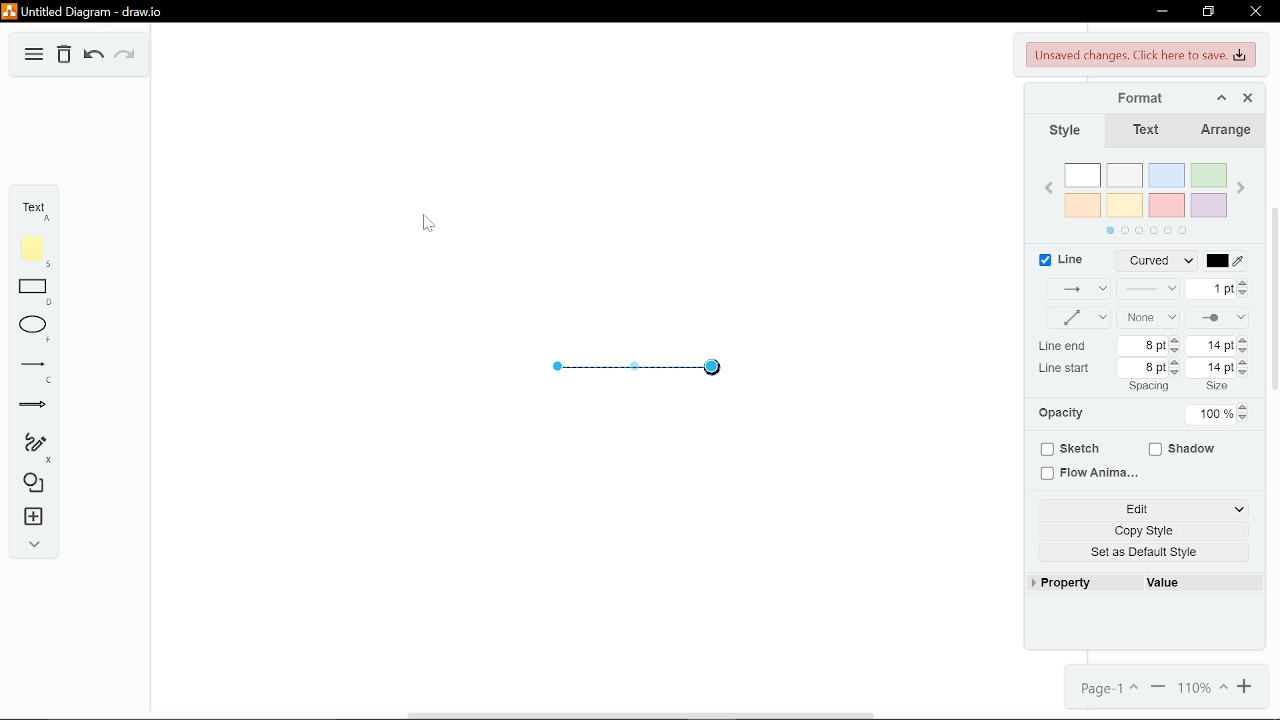 The height and width of the screenshot is (720, 1280). I want to click on Zoom in, so click(1244, 688).